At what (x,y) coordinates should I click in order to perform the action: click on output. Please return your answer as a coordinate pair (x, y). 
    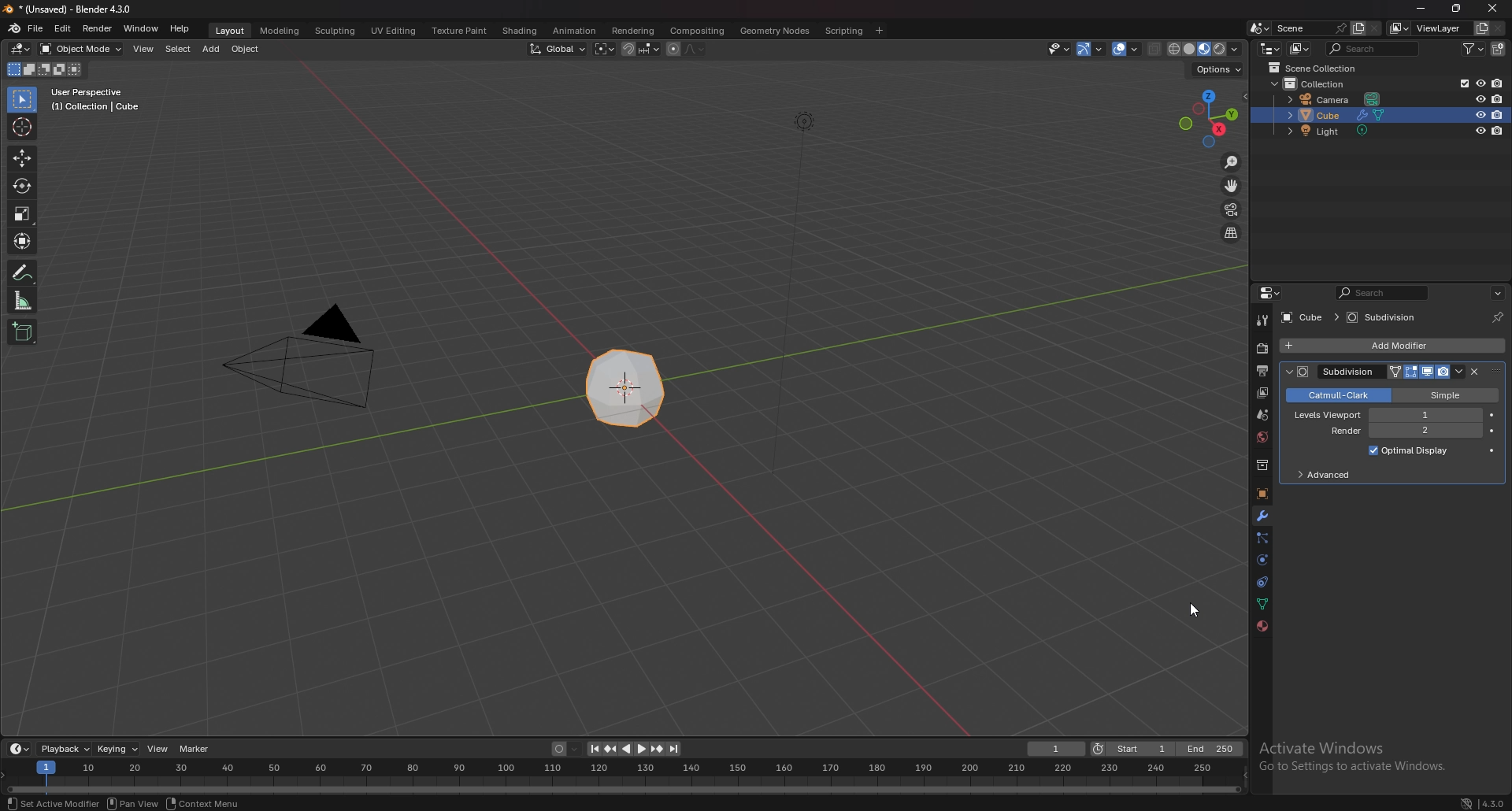
    Looking at the image, I should click on (1261, 371).